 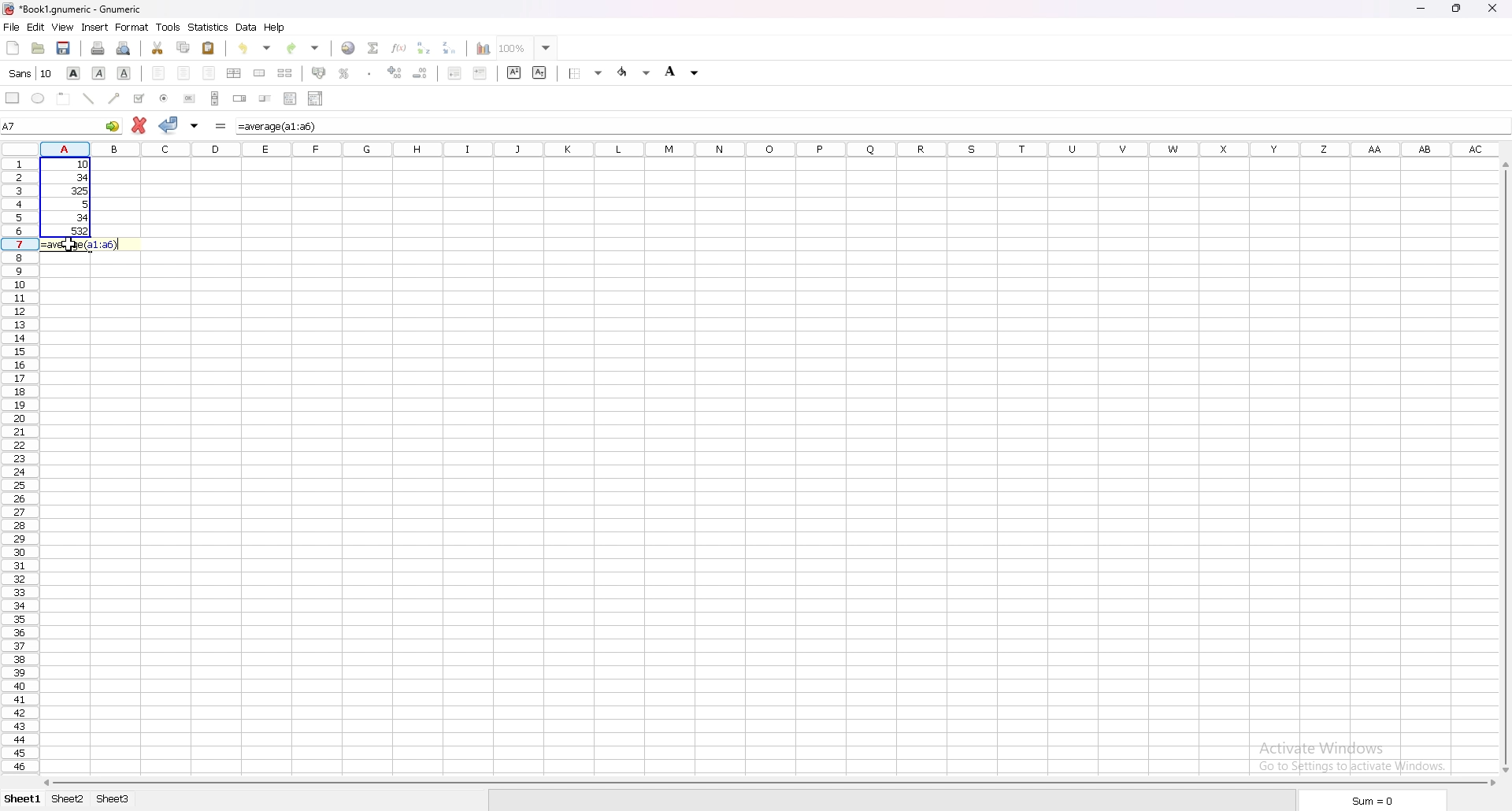 What do you see at coordinates (71, 177) in the screenshot?
I see `34` at bounding box center [71, 177].